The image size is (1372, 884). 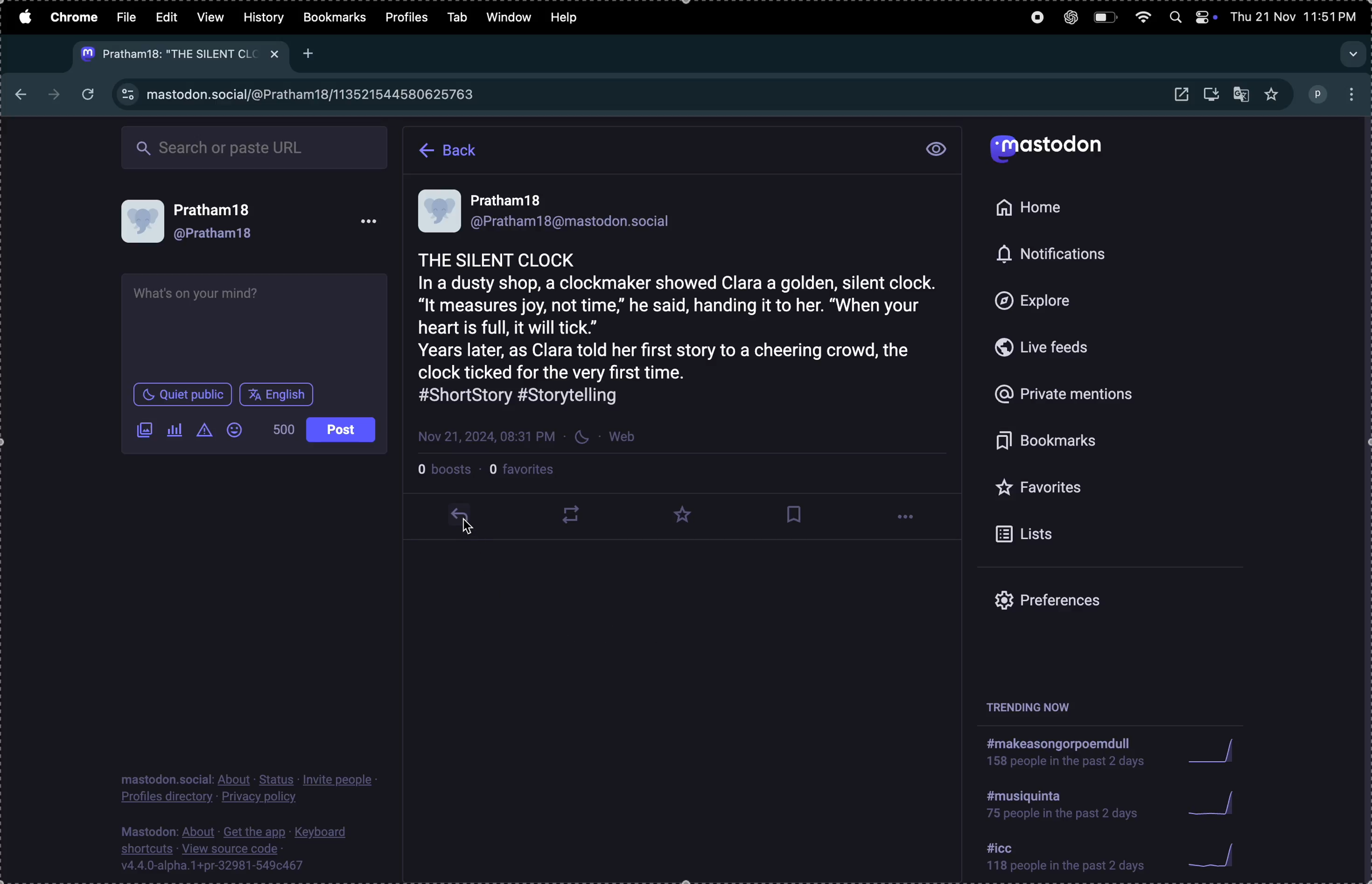 What do you see at coordinates (461, 152) in the screenshot?
I see `` at bounding box center [461, 152].